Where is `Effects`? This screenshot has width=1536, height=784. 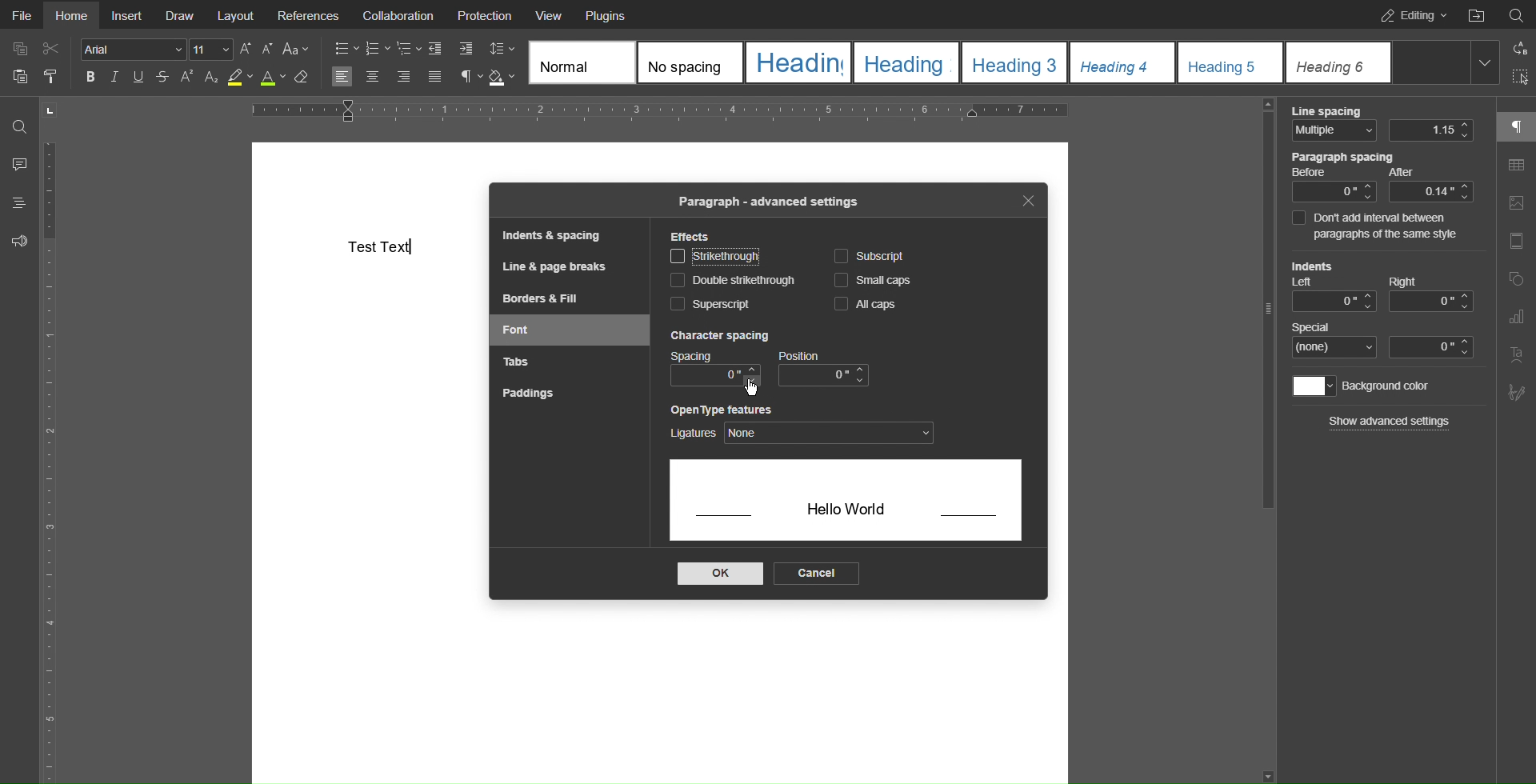 Effects is located at coordinates (692, 237).